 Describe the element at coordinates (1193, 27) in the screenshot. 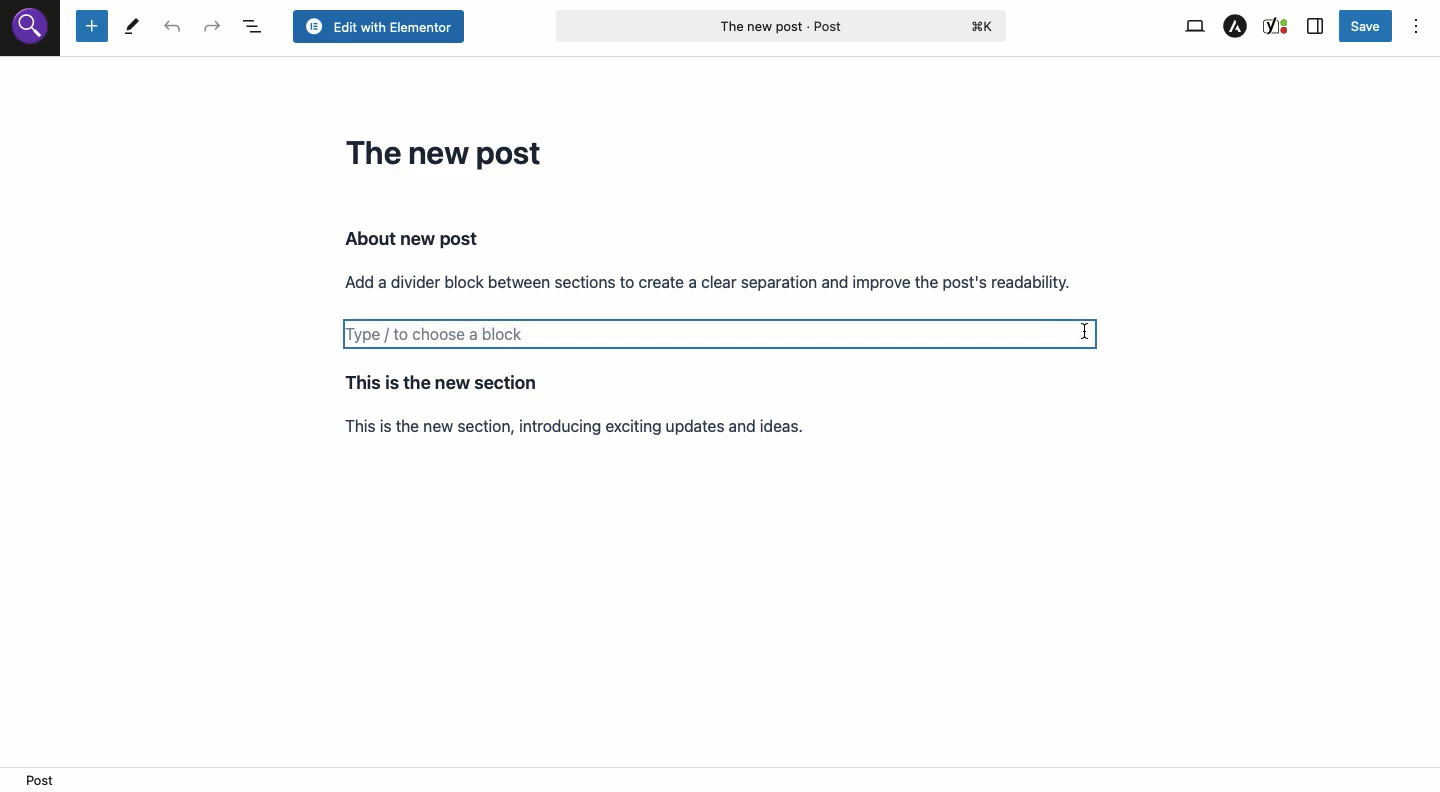

I see `View` at that location.